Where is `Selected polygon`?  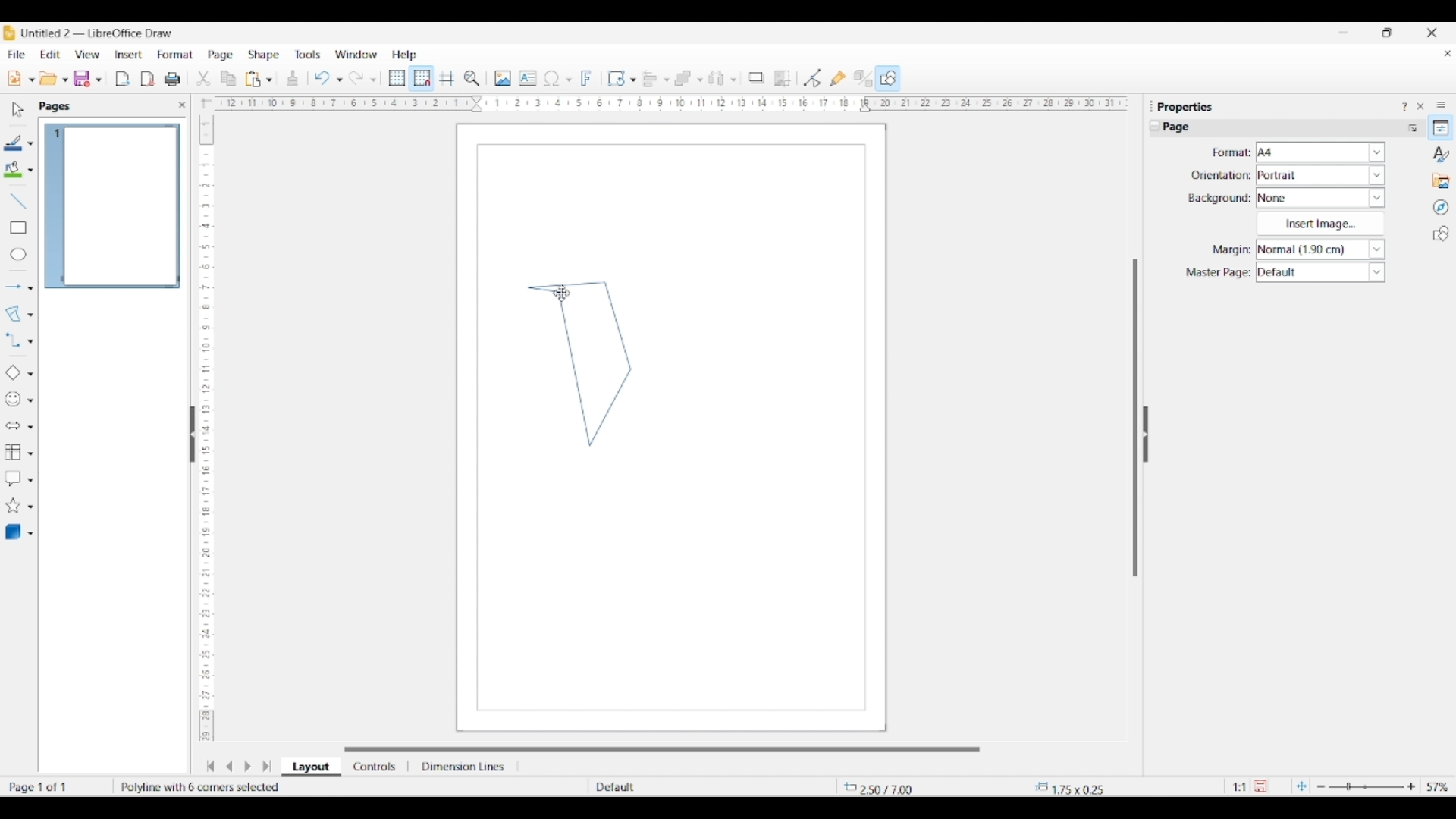
Selected polygon is located at coordinates (14, 314).